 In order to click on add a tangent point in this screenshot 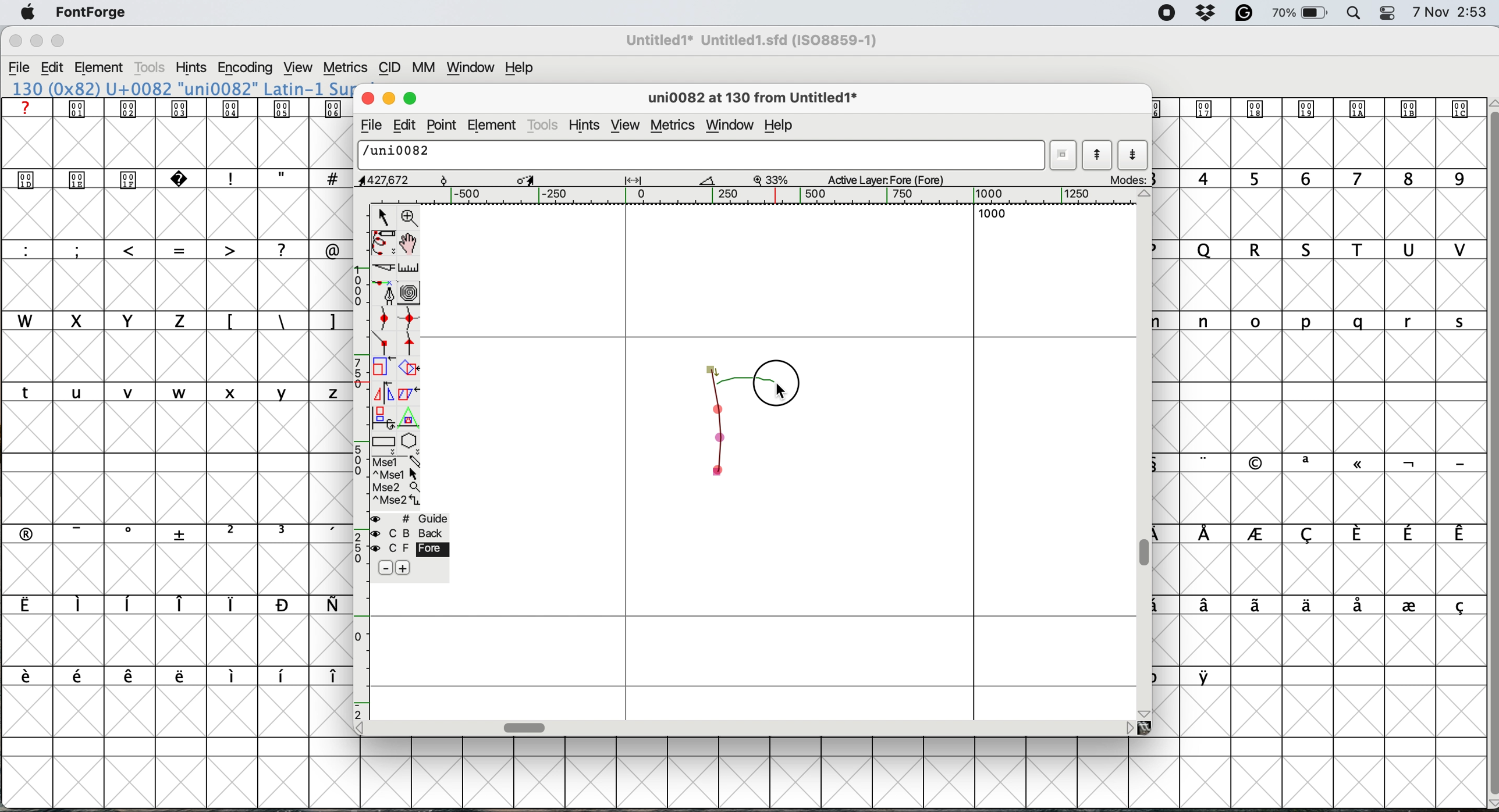, I will do `click(411, 346)`.